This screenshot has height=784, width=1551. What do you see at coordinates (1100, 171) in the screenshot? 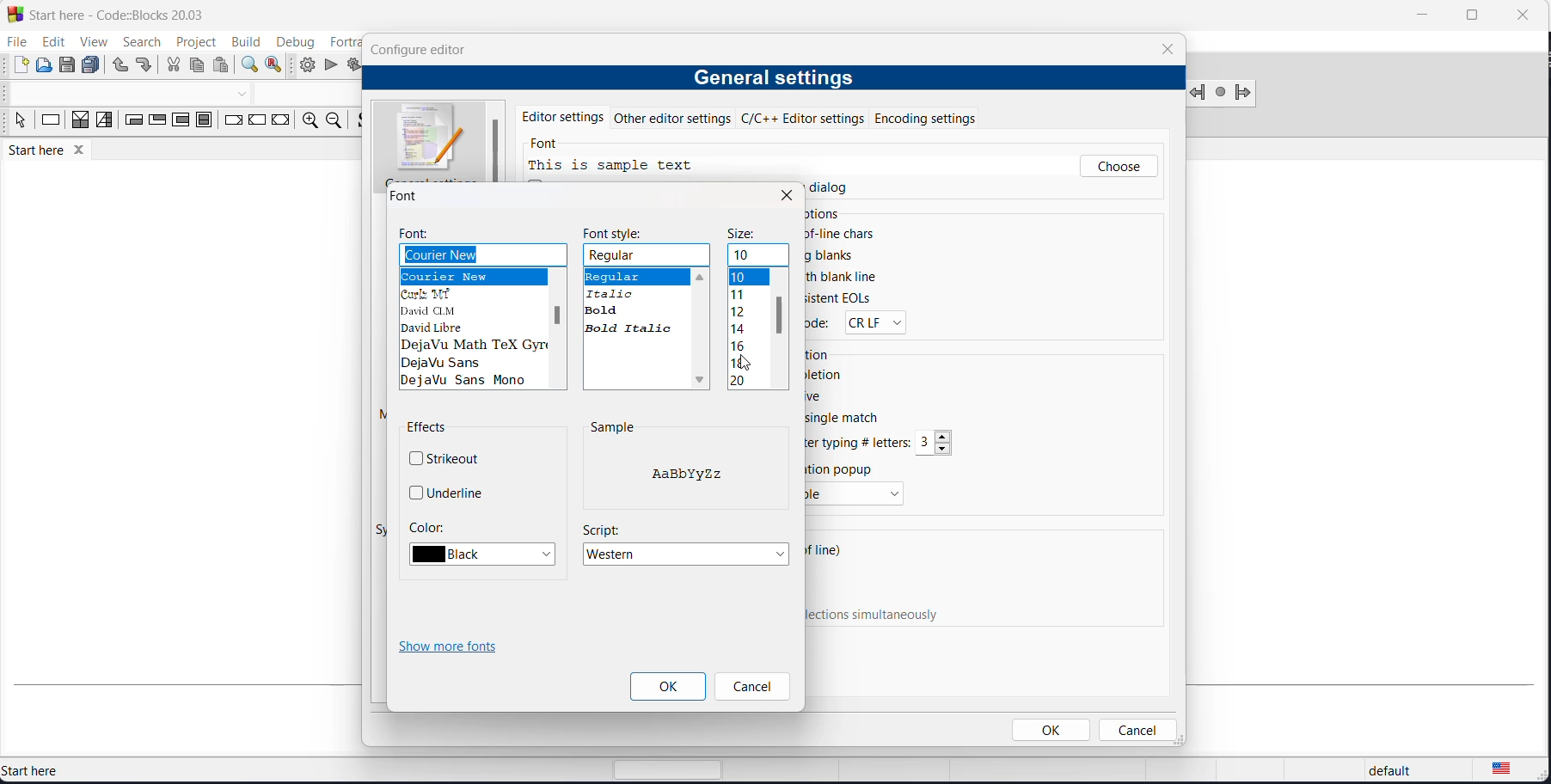
I see `cursor` at bounding box center [1100, 171].